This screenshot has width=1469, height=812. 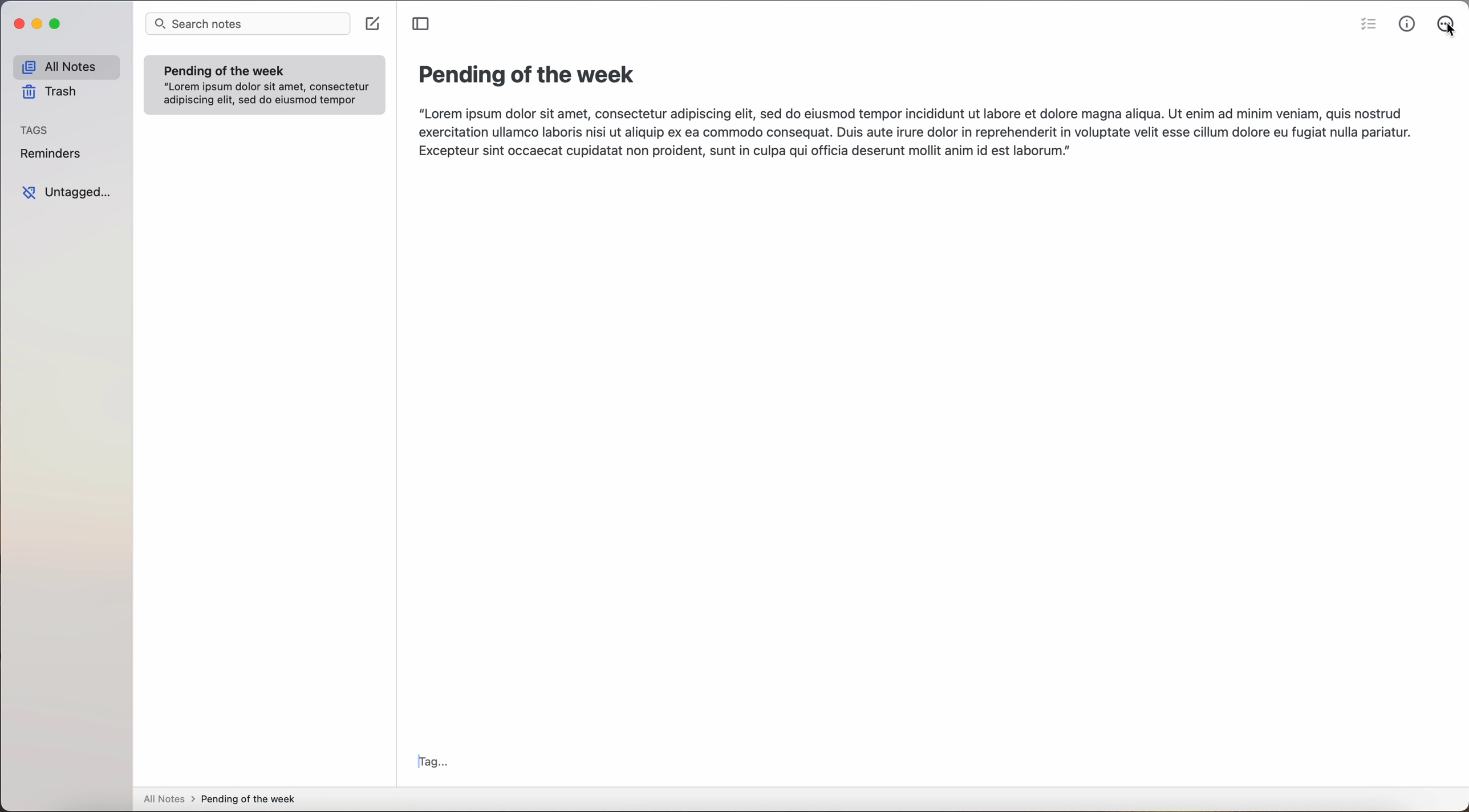 What do you see at coordinates (48, 92) in the screenshot?
I see `trash` at bounding box center [48, 92].